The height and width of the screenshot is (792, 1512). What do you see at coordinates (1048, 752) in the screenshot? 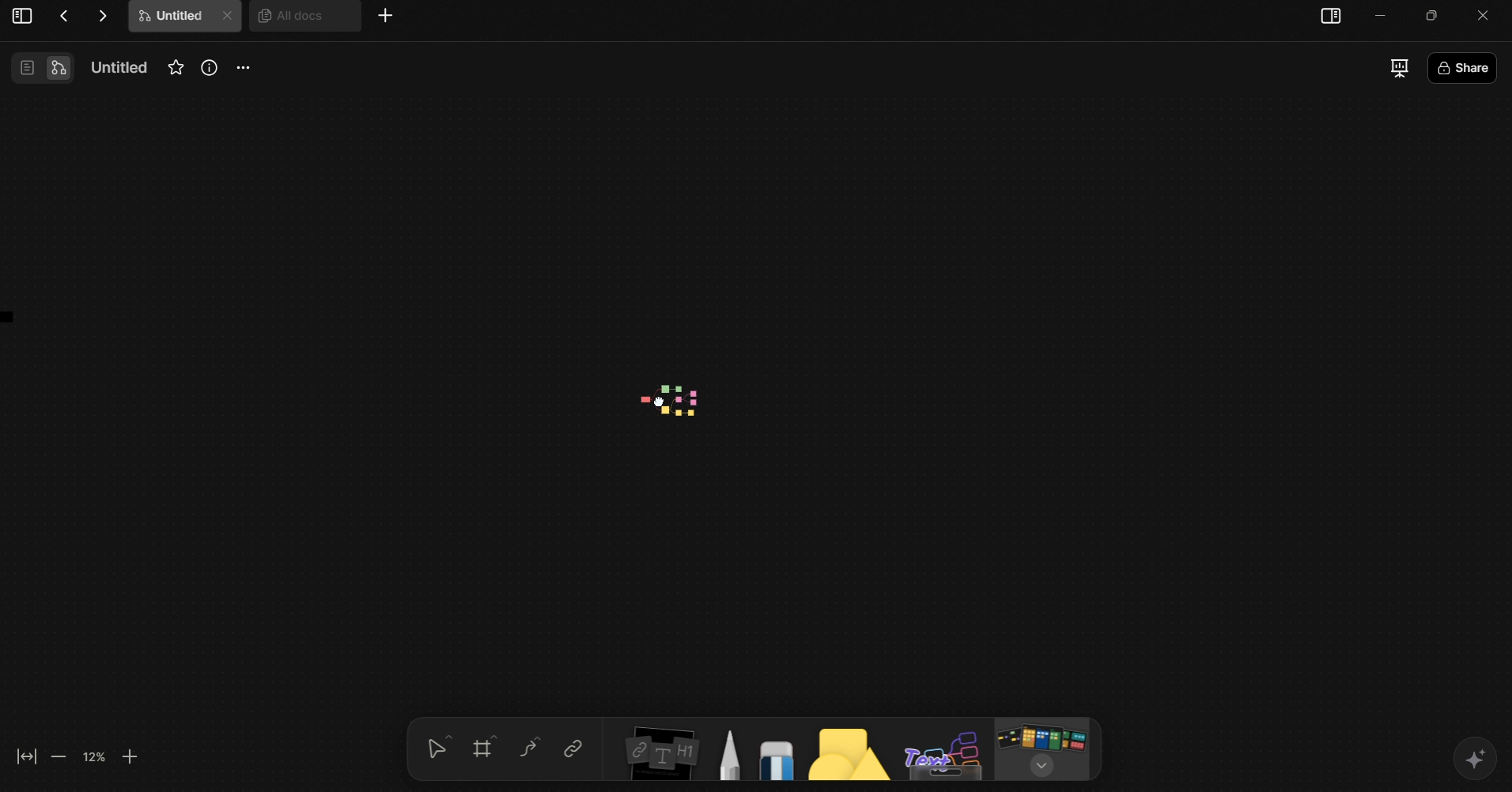
I see `Board/Template Tool` at bounding box center [1048, 752].